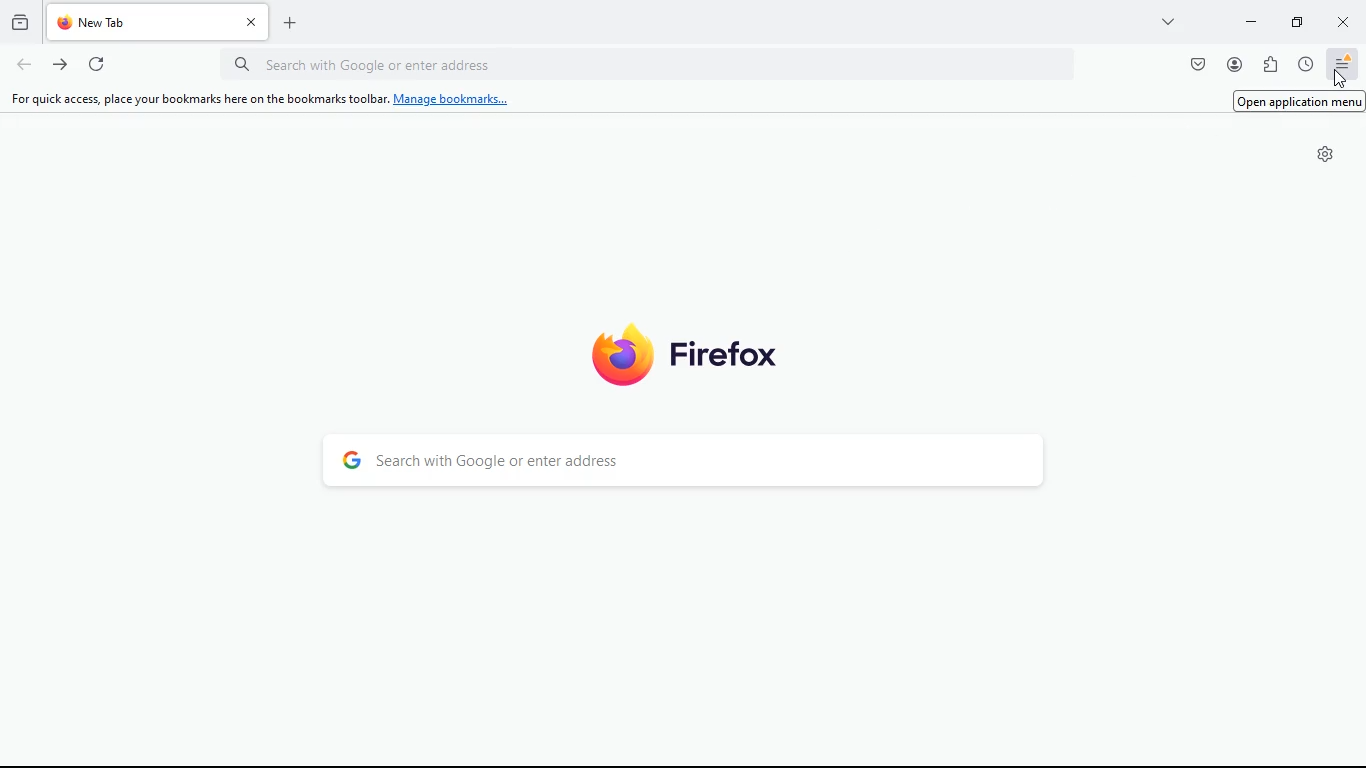  I want to click on menu, so click(1344, 64).